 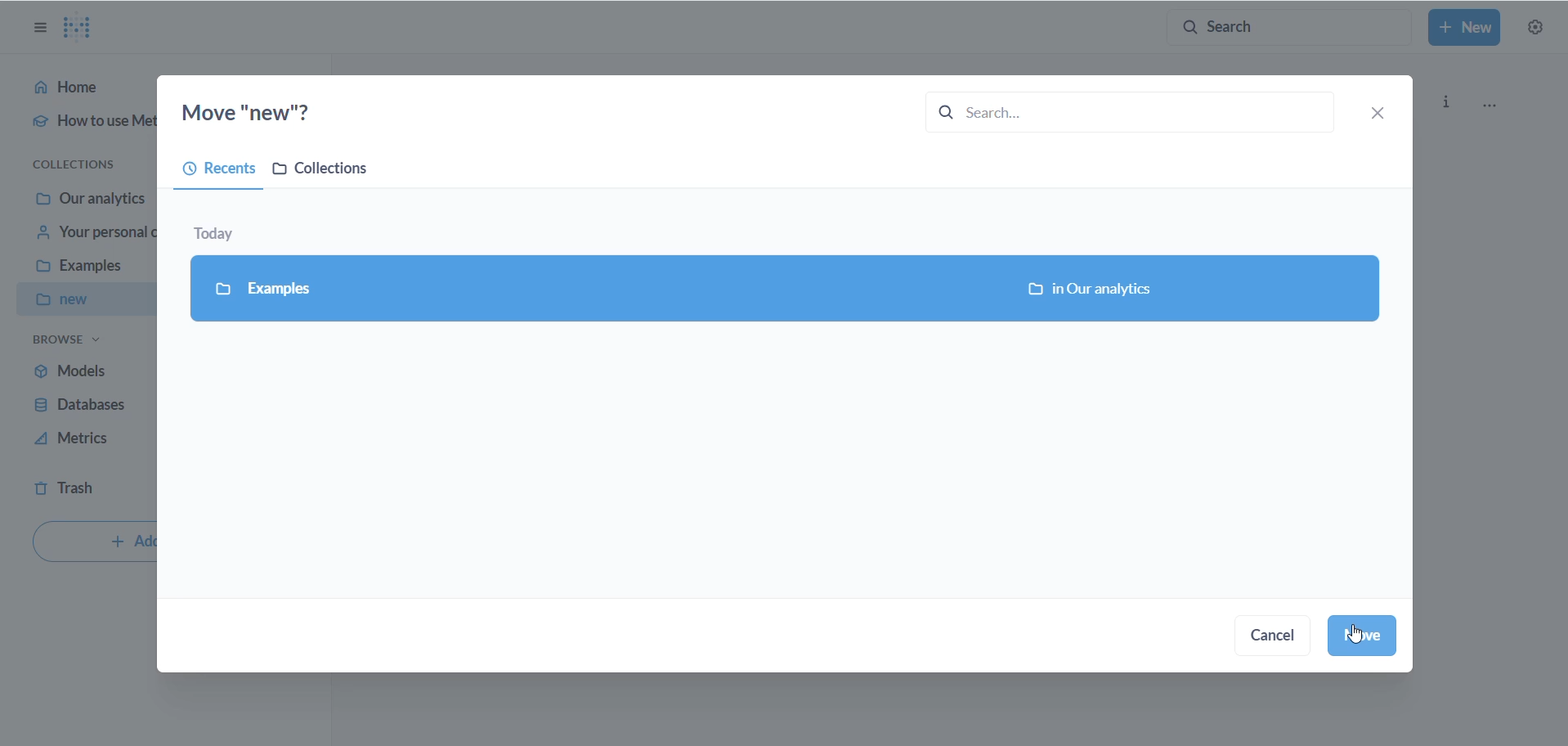 What do you see at coordinates (1498, 106) in the screenshot?
I see `more options` at bounding box center [1498, 106].